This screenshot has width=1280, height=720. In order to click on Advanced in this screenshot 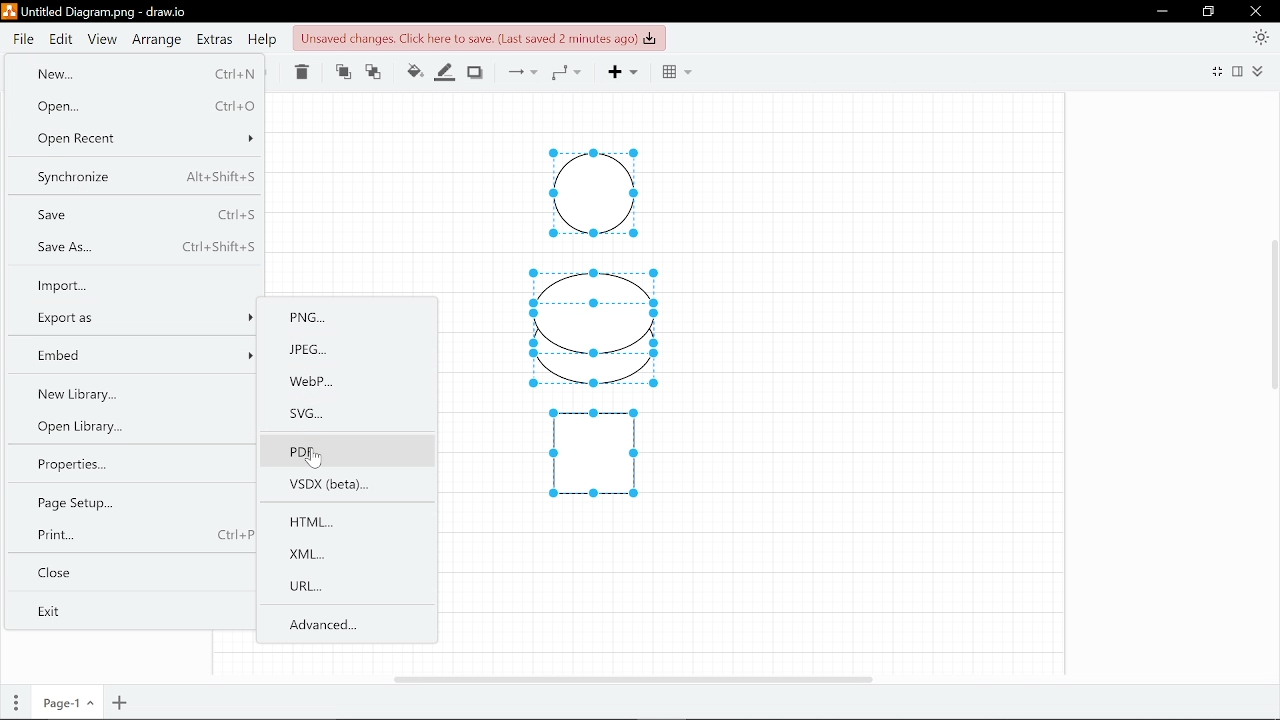, I will do `click(334, 625)`.